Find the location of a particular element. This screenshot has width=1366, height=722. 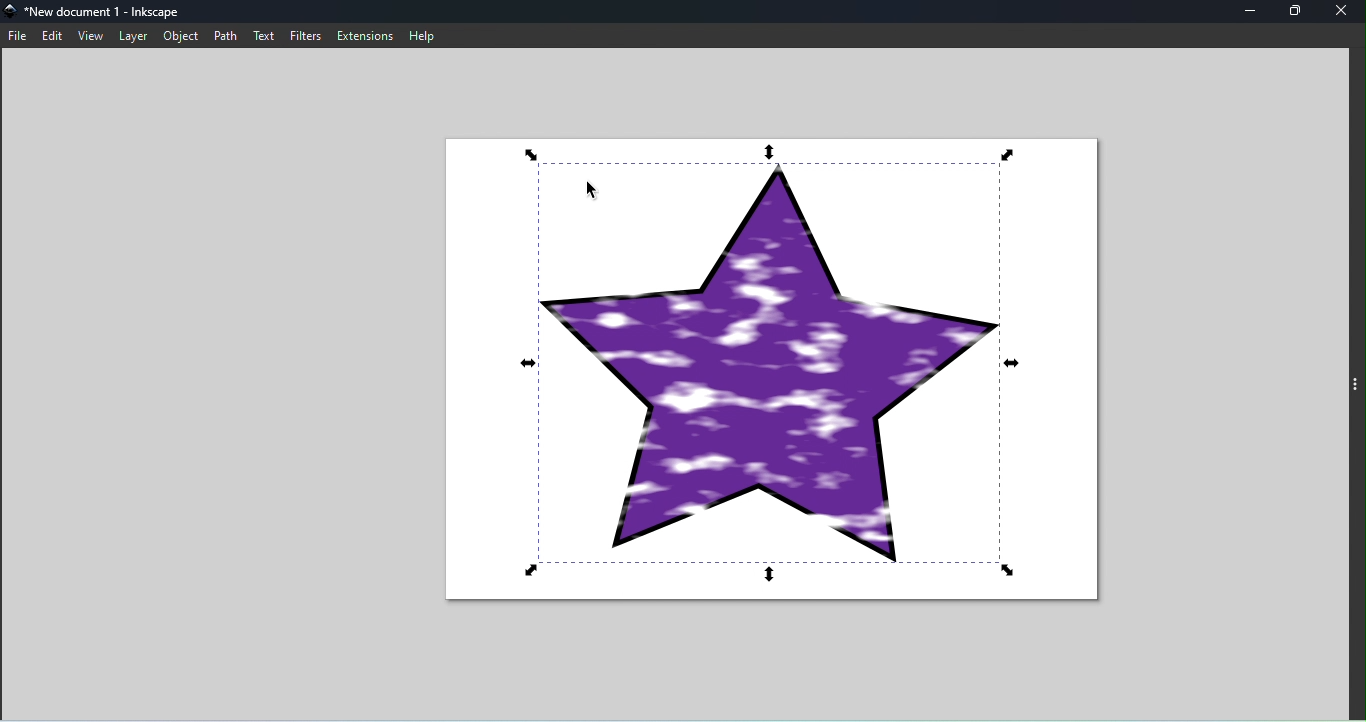

extensions is located at coordinates (364, 34).